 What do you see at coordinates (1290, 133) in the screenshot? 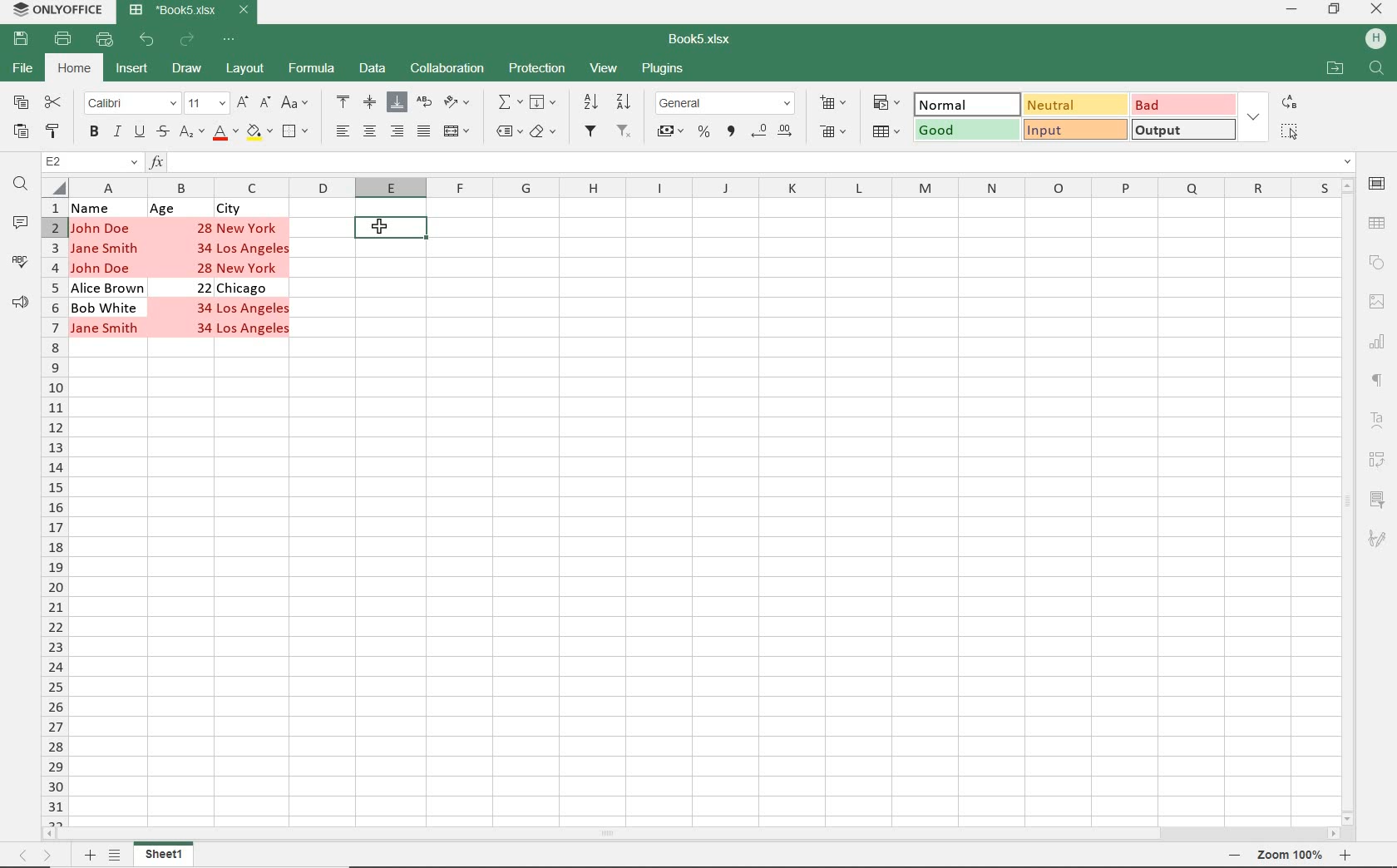
I see `SELECT ALL` at bounding box center [1290, 133].